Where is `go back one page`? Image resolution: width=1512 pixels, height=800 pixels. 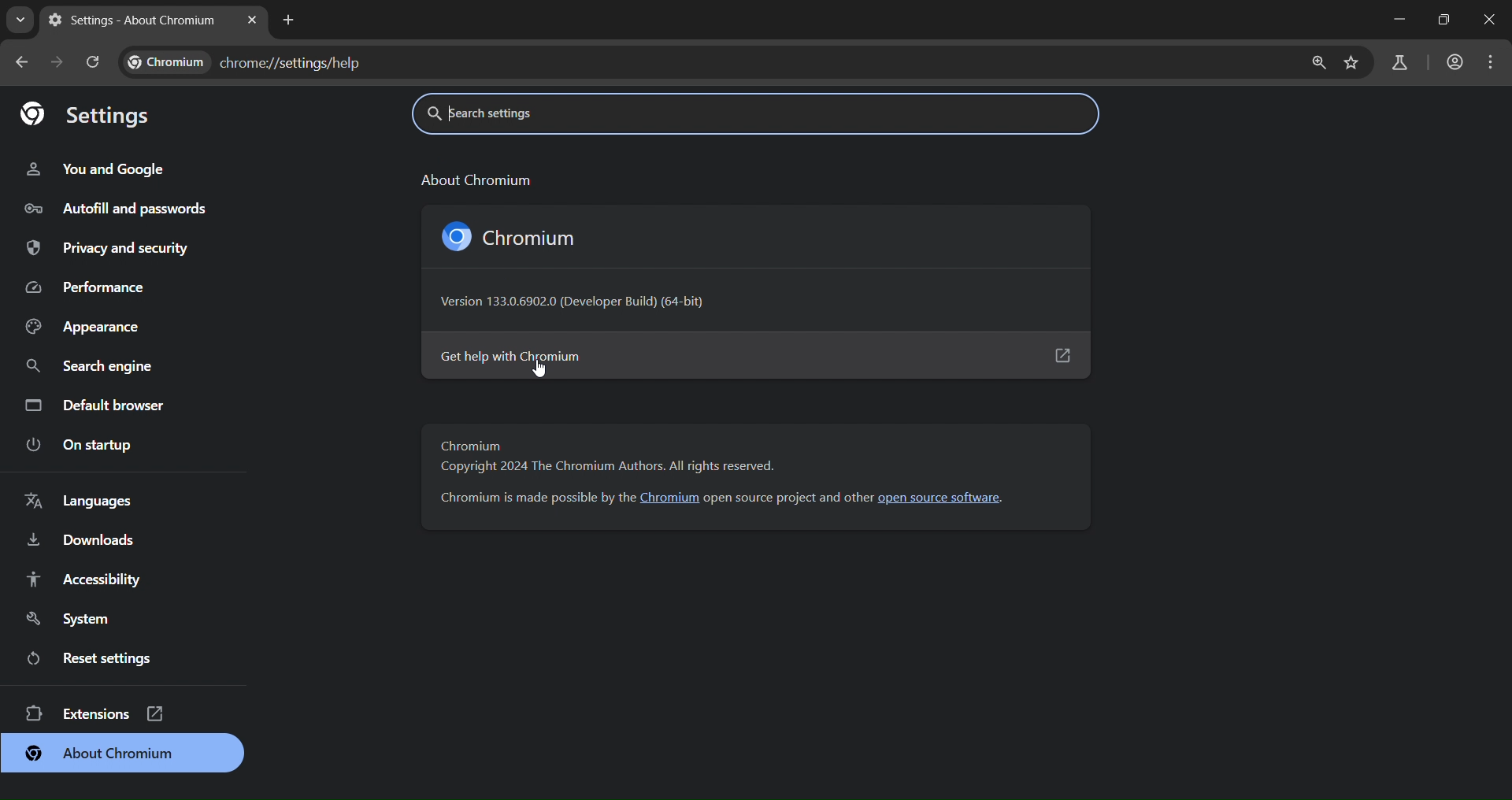 go back one page is located at coordinates (20, 62).